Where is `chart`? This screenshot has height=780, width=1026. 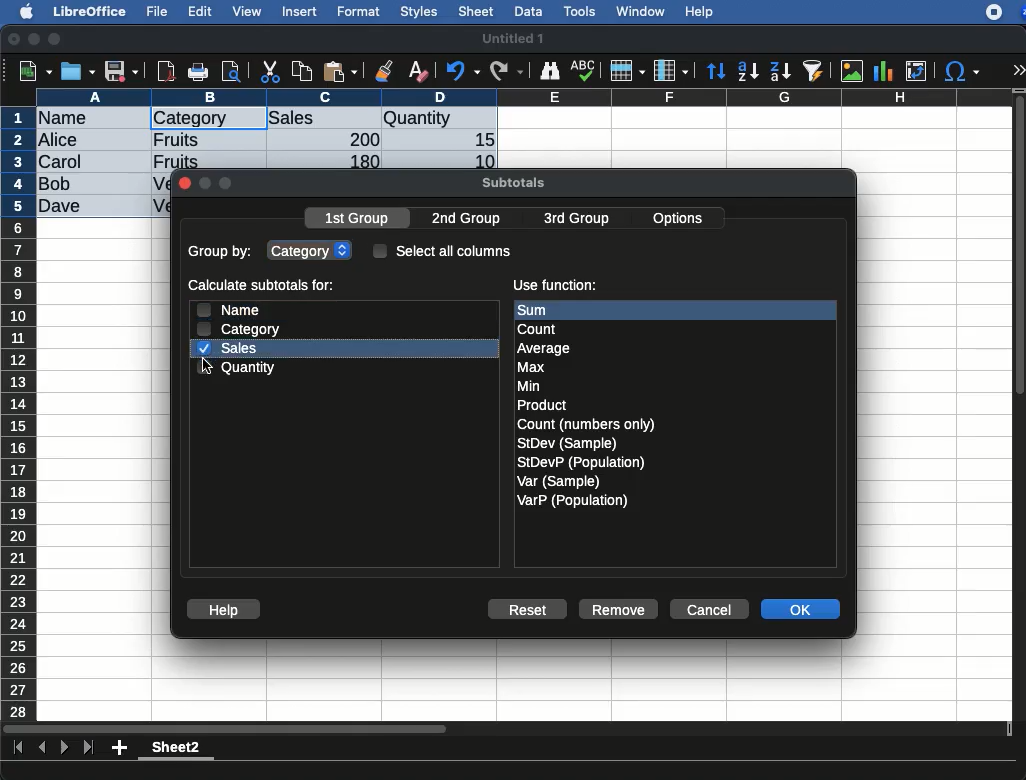
chart is located at coordinates (884, 71).